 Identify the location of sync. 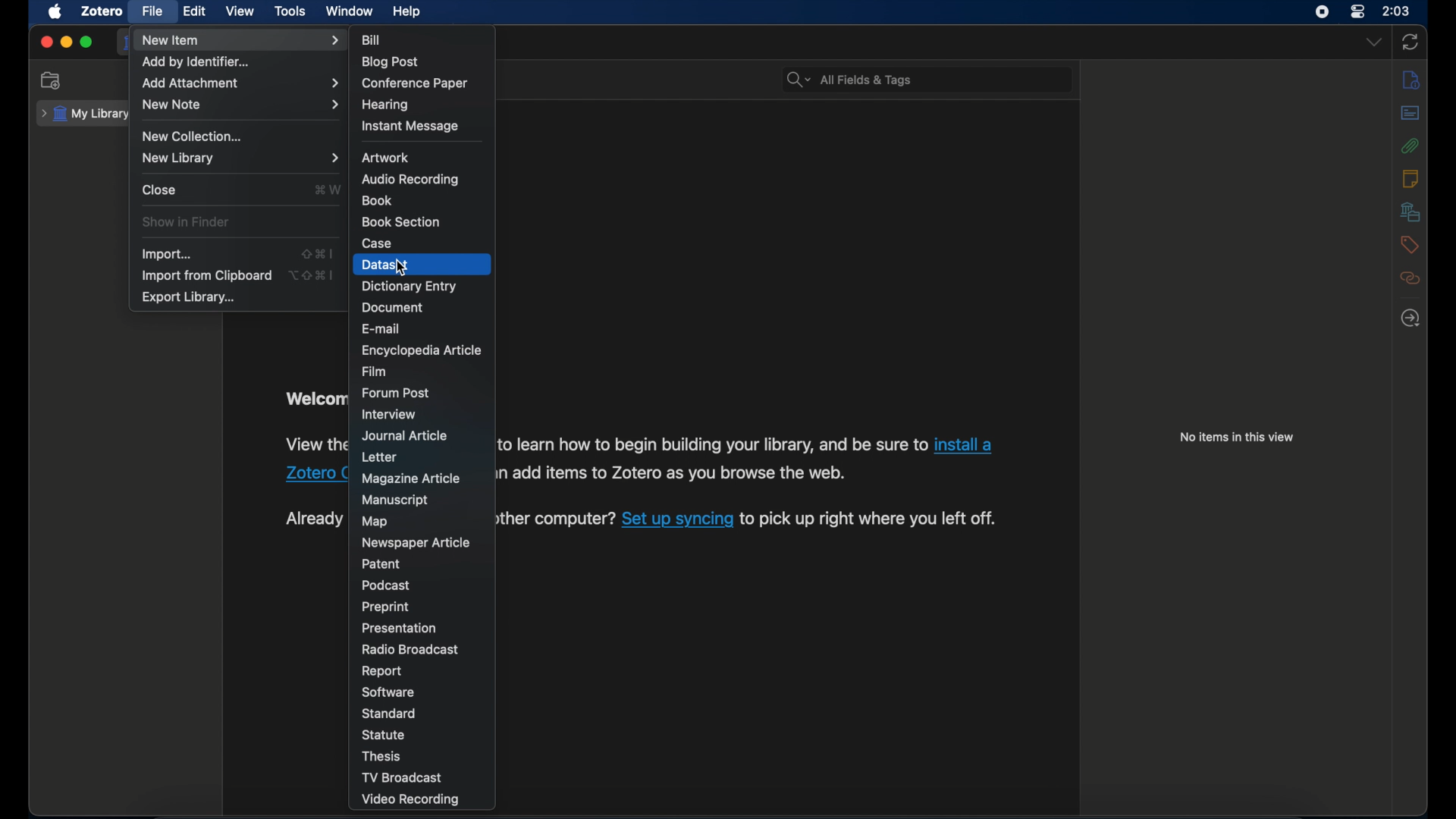
(1410, 42).